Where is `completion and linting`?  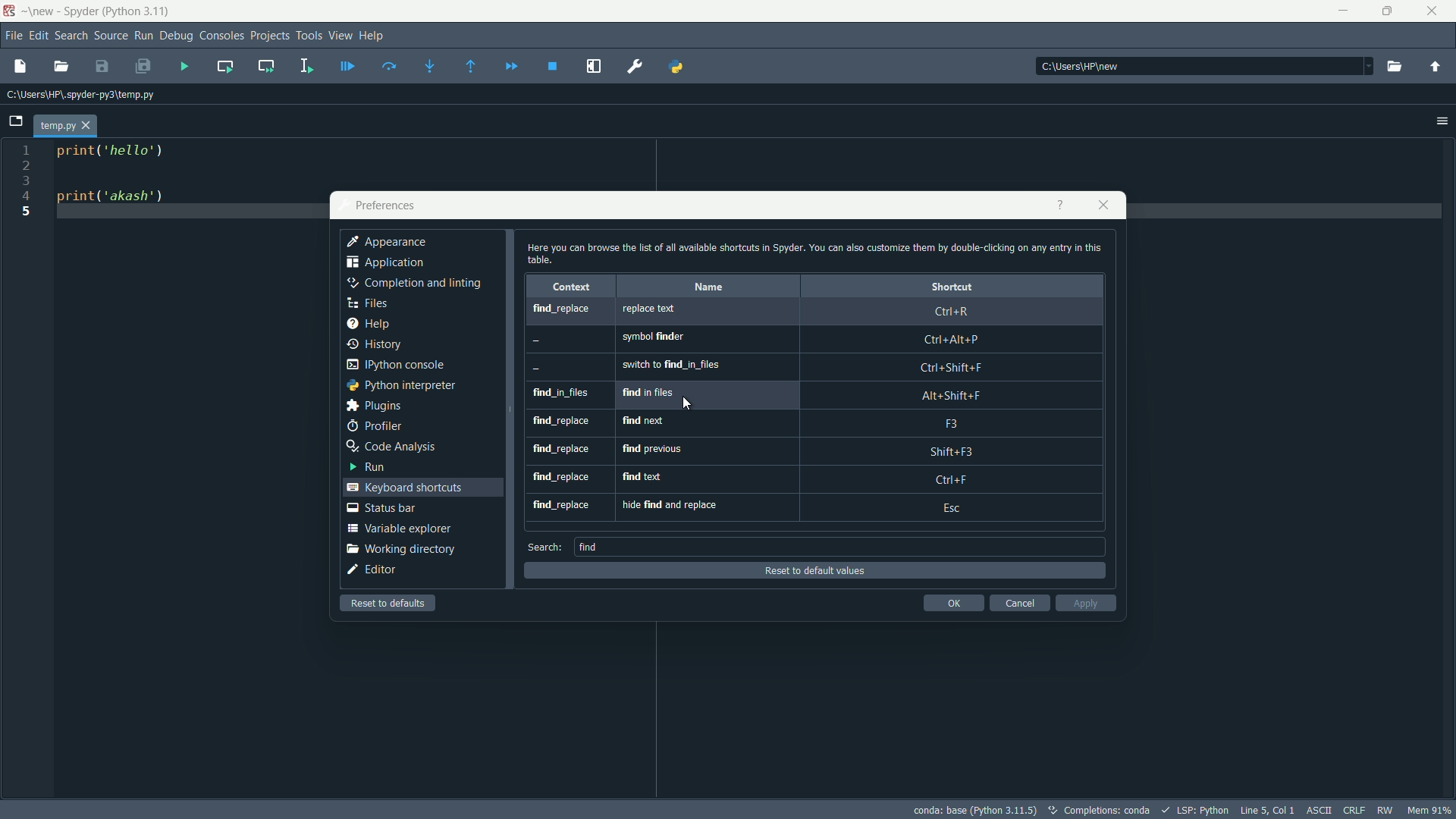 completion and linting is located at coordinates (413, 283).